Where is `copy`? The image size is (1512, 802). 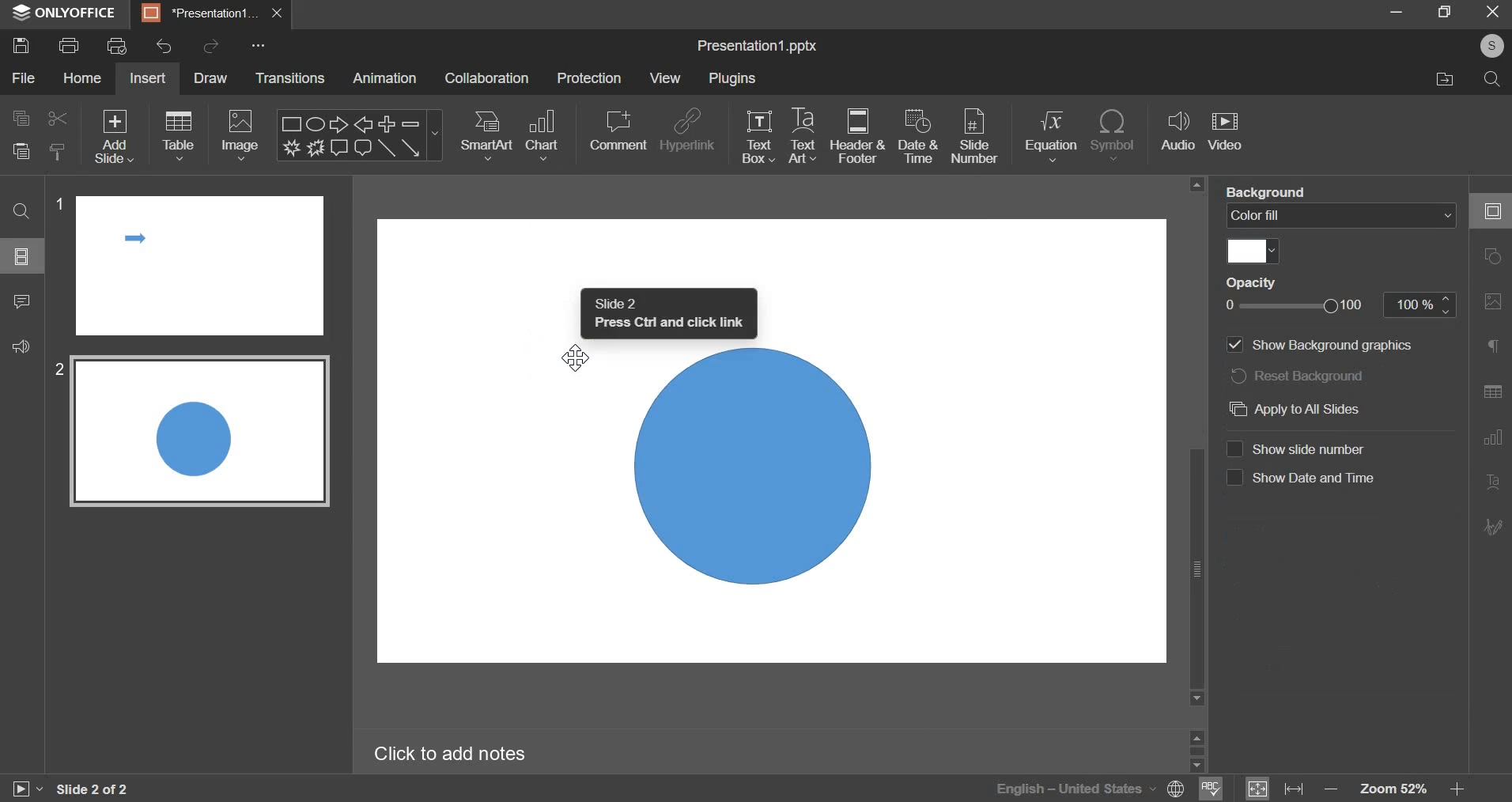
copy is located at coordinates (21, 118).